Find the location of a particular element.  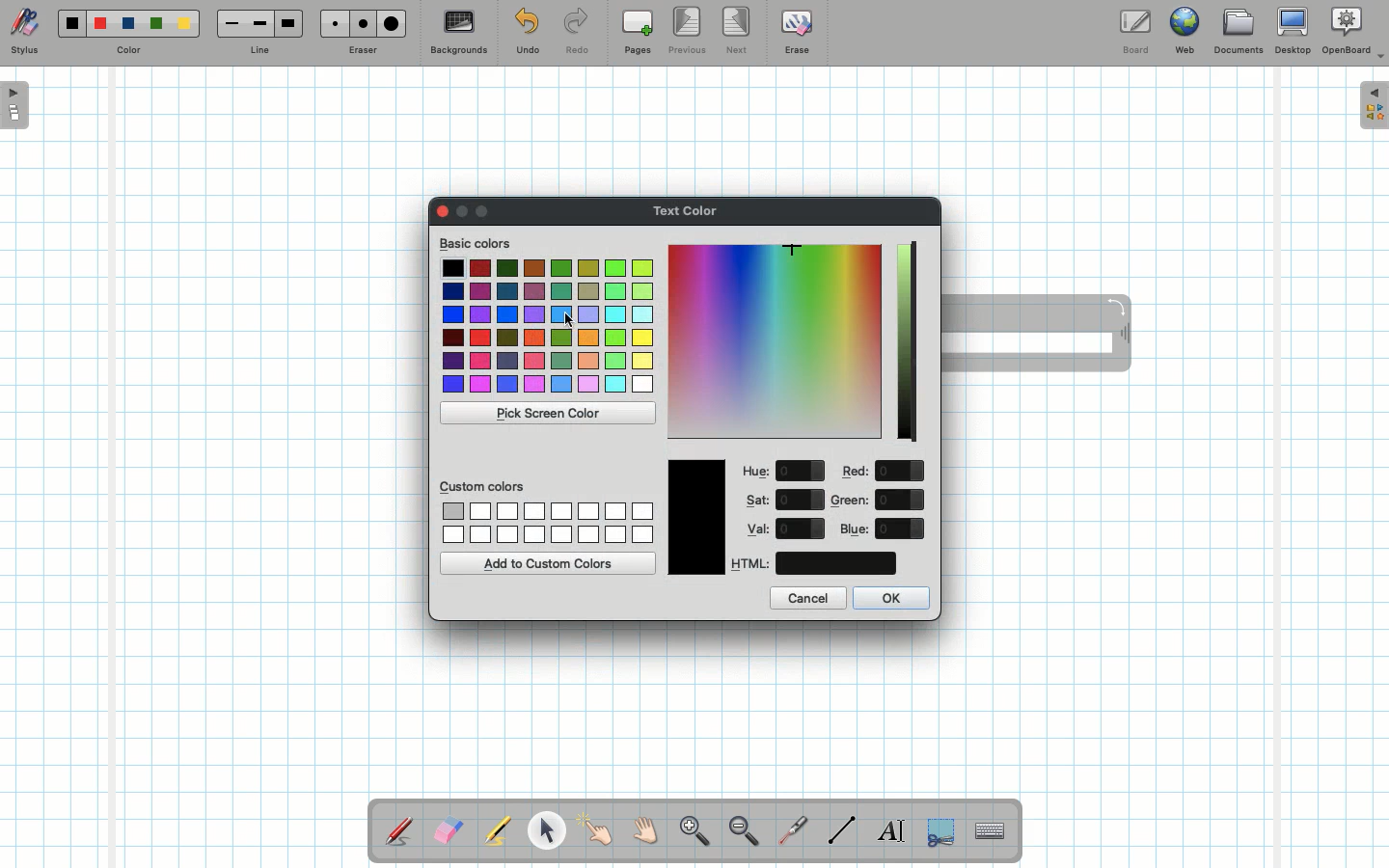

Pick screen color is located at coordinates (549, 414).